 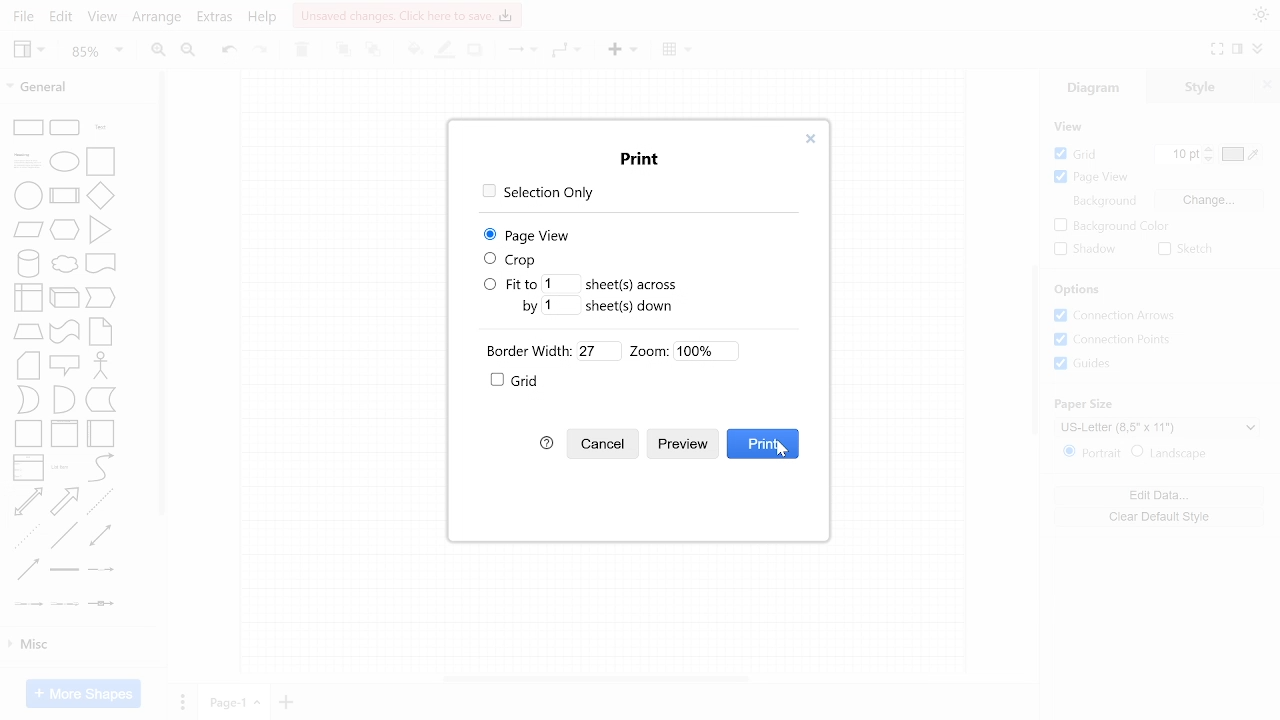 I want to click on Trapezoid, so click(x=28, y=332).